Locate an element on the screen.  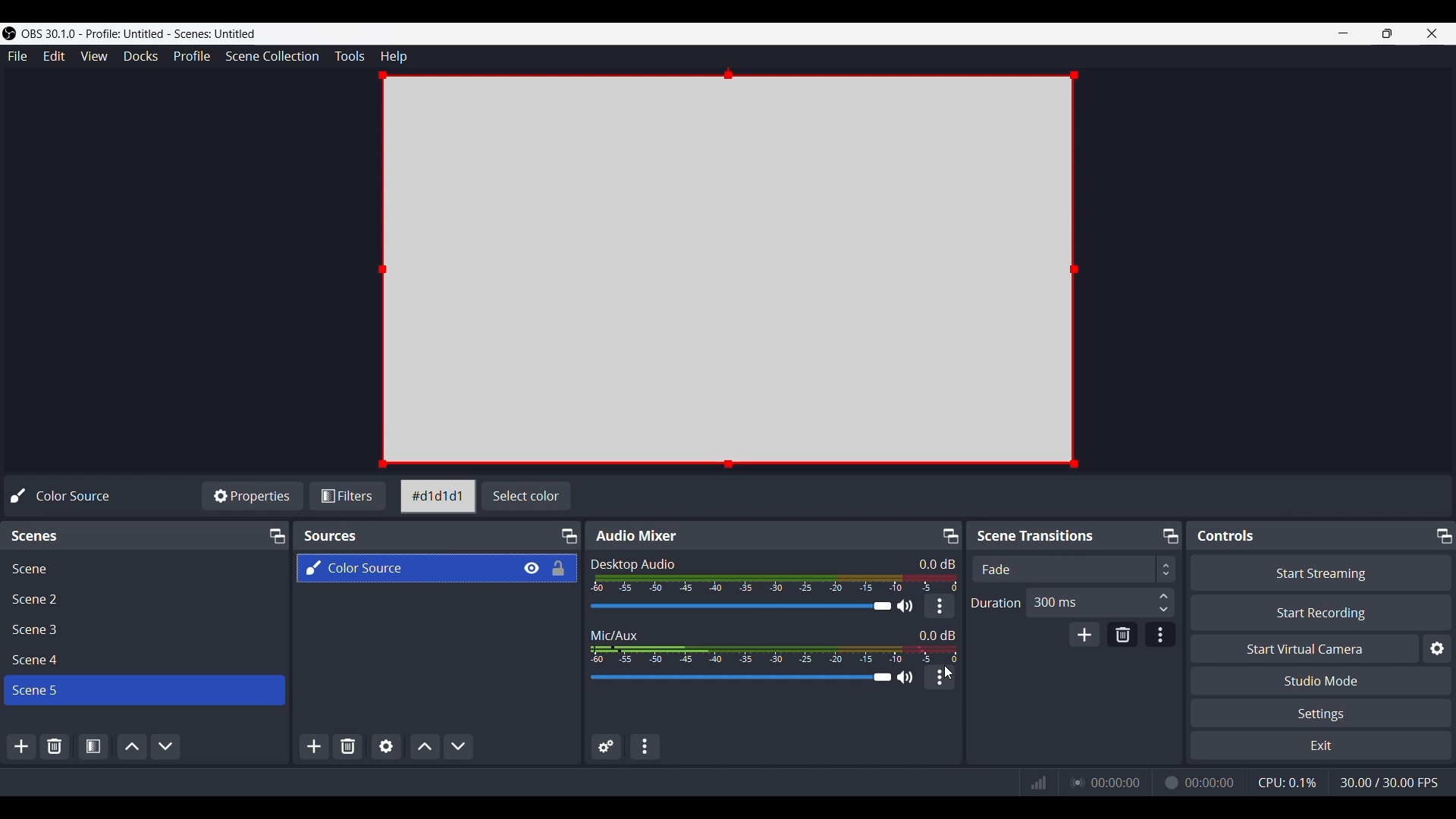
Text is located at coordinates (632, 563).